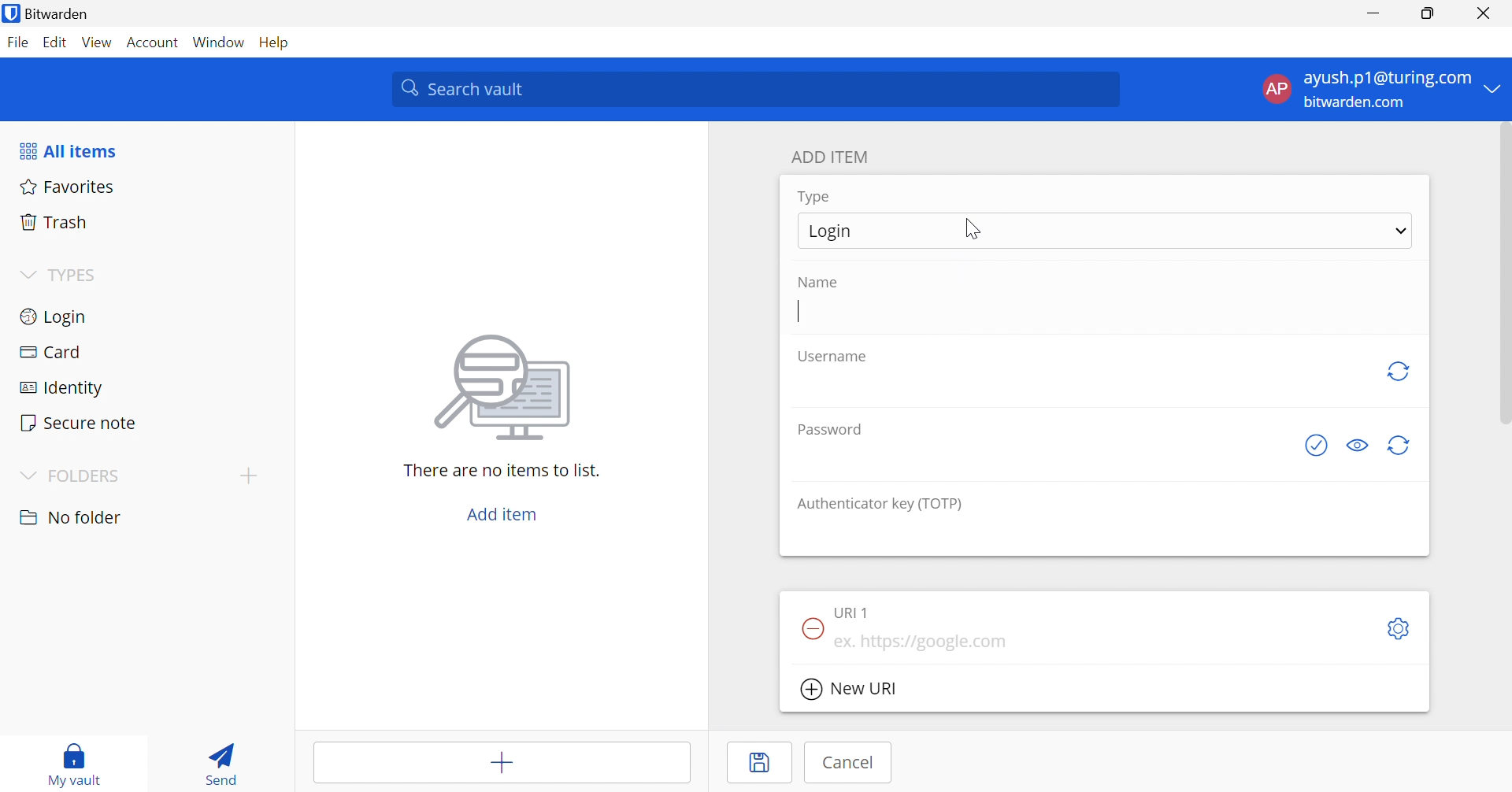  What do you see at coordinates (72, 477) in the screenshot?
I see `FOLDERS` at bounding box center [72, 477].